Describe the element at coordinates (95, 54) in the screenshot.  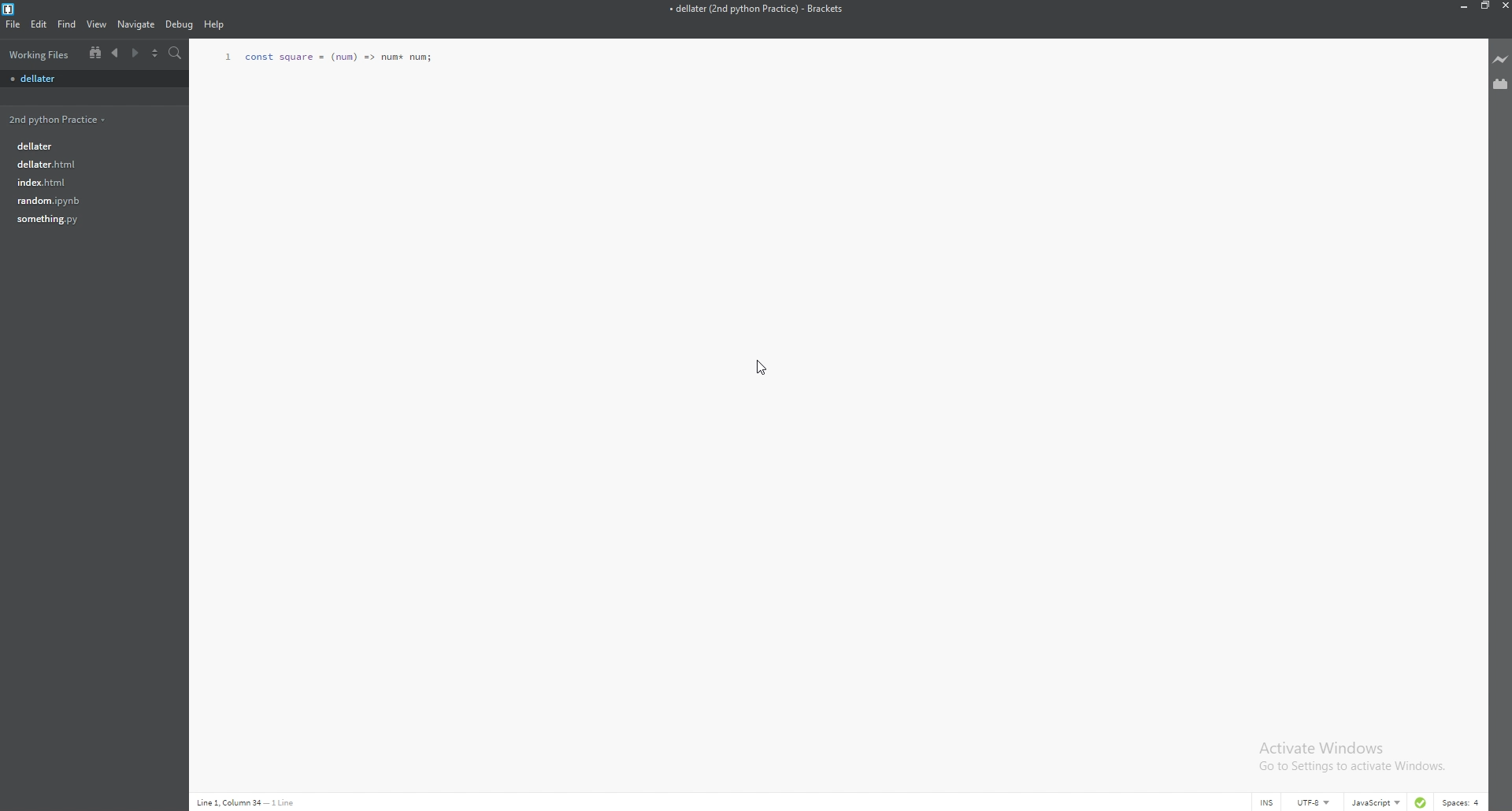
I see `tree view` at that location.